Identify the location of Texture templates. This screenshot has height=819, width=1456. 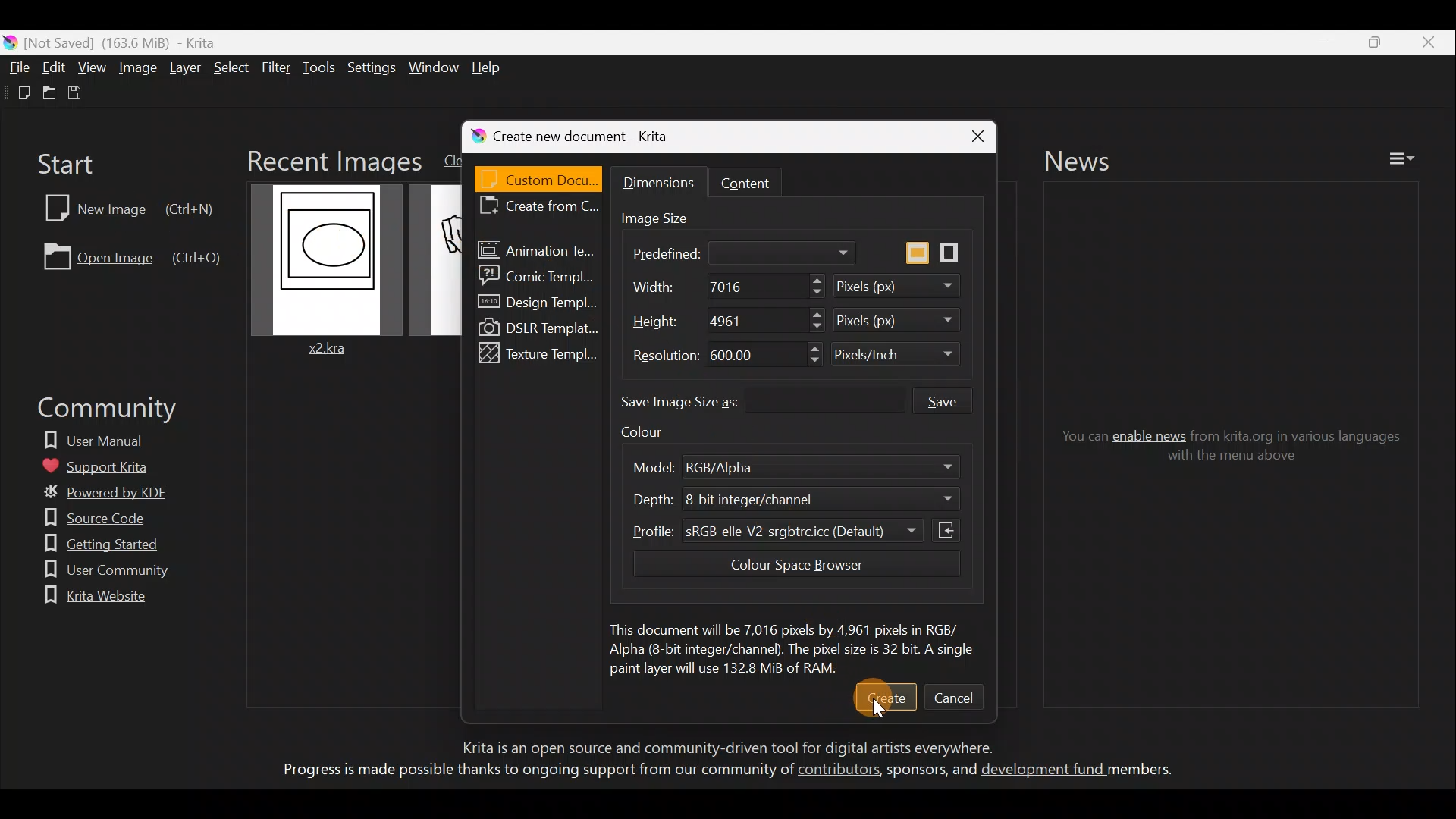
(541, 353).